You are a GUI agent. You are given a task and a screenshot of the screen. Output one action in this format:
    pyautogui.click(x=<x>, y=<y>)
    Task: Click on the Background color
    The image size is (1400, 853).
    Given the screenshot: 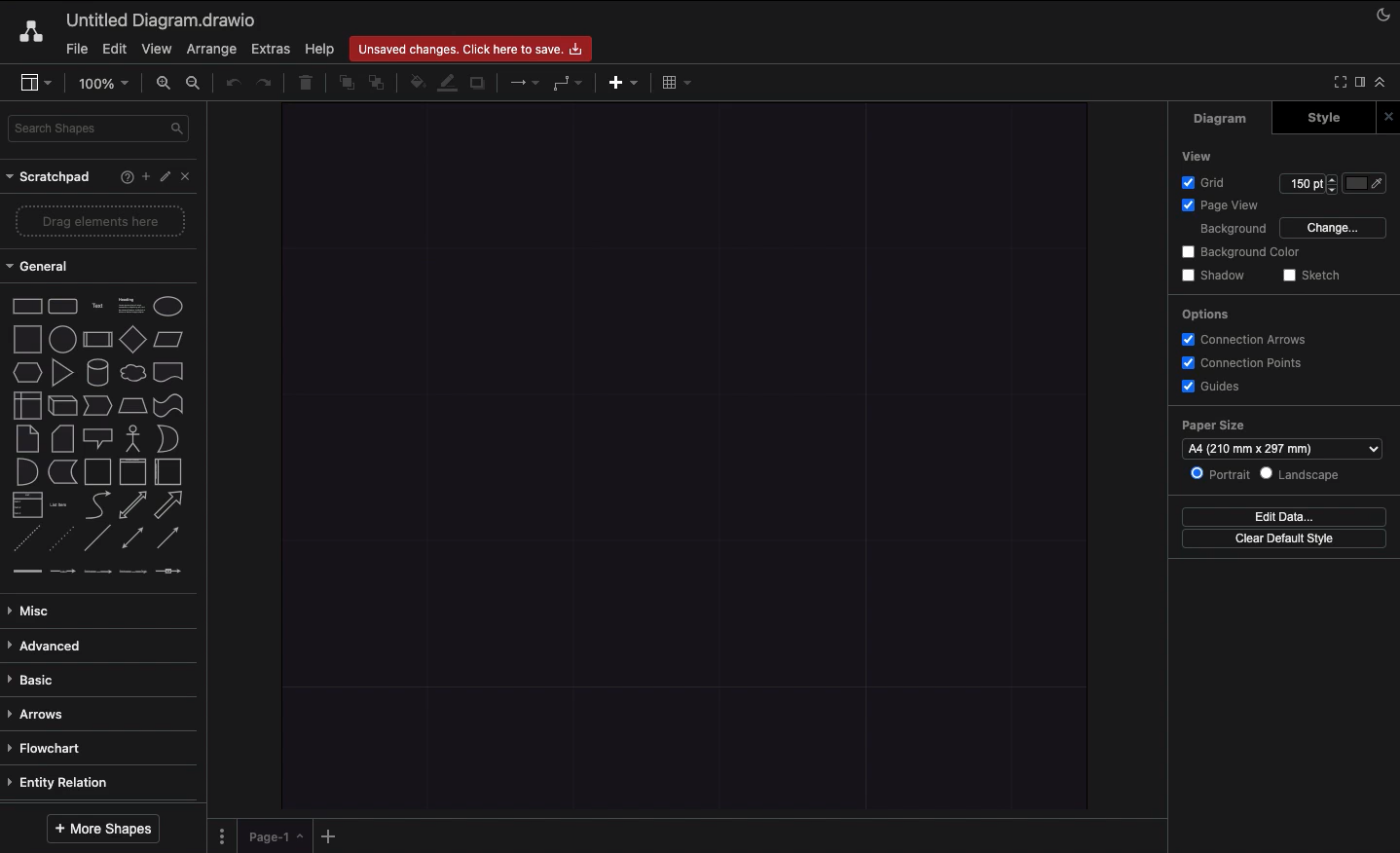 What is the action you would take?
    pyautogui.click(x=1237, y=253)
    